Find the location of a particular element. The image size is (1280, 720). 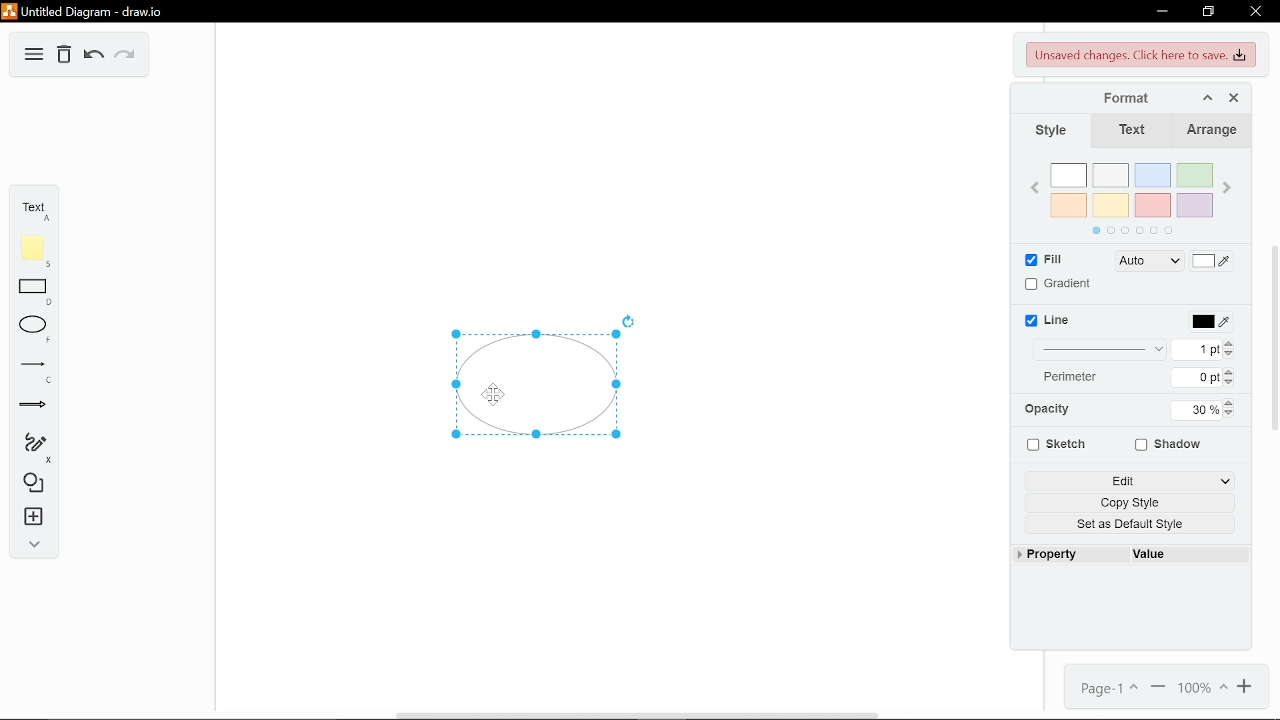

Collapse is located at coordinates (1206, 95).